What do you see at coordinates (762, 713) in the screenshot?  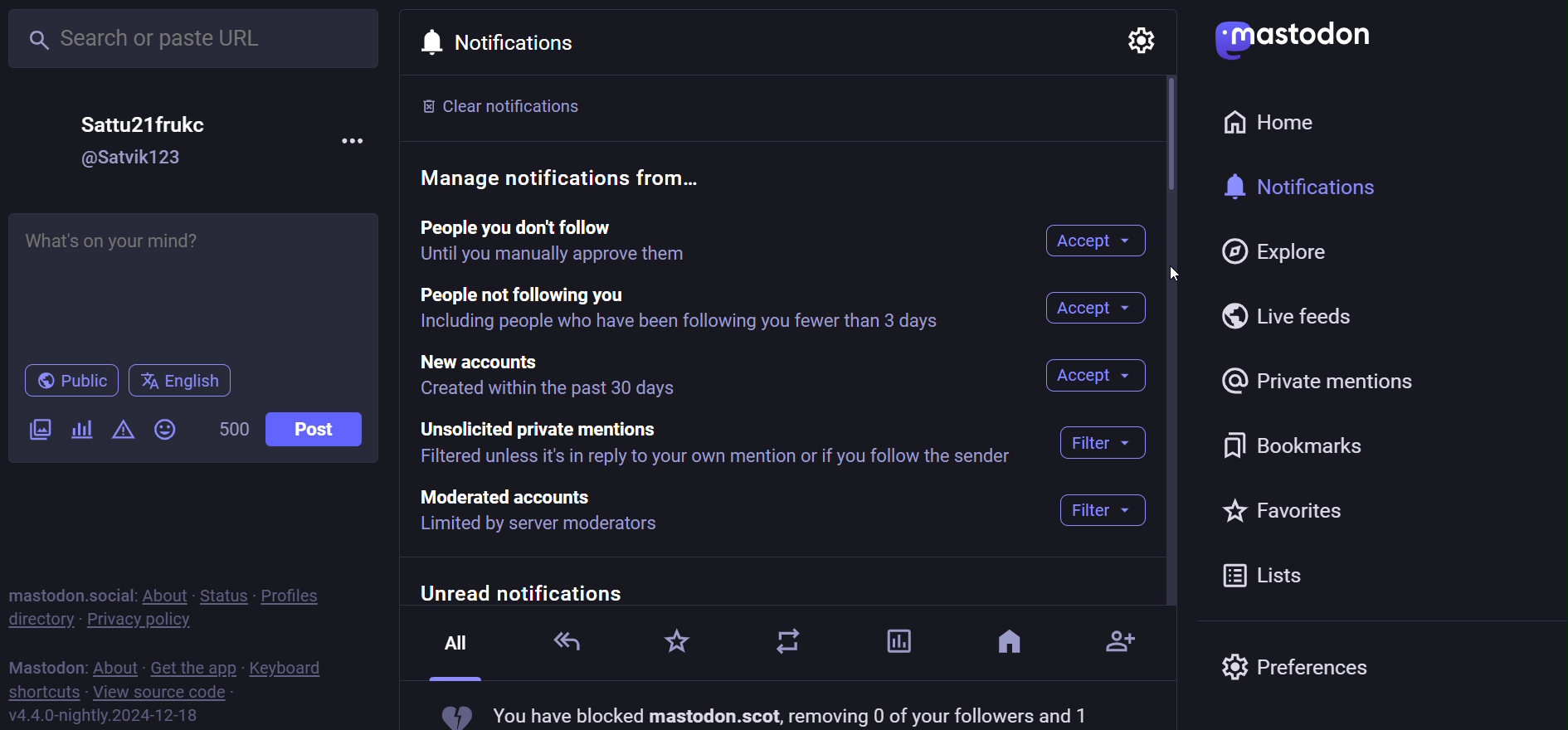 I see ` You have blocked mastodon.scot, removing 0 of your followers and 1` at bounding box center [762, 713].